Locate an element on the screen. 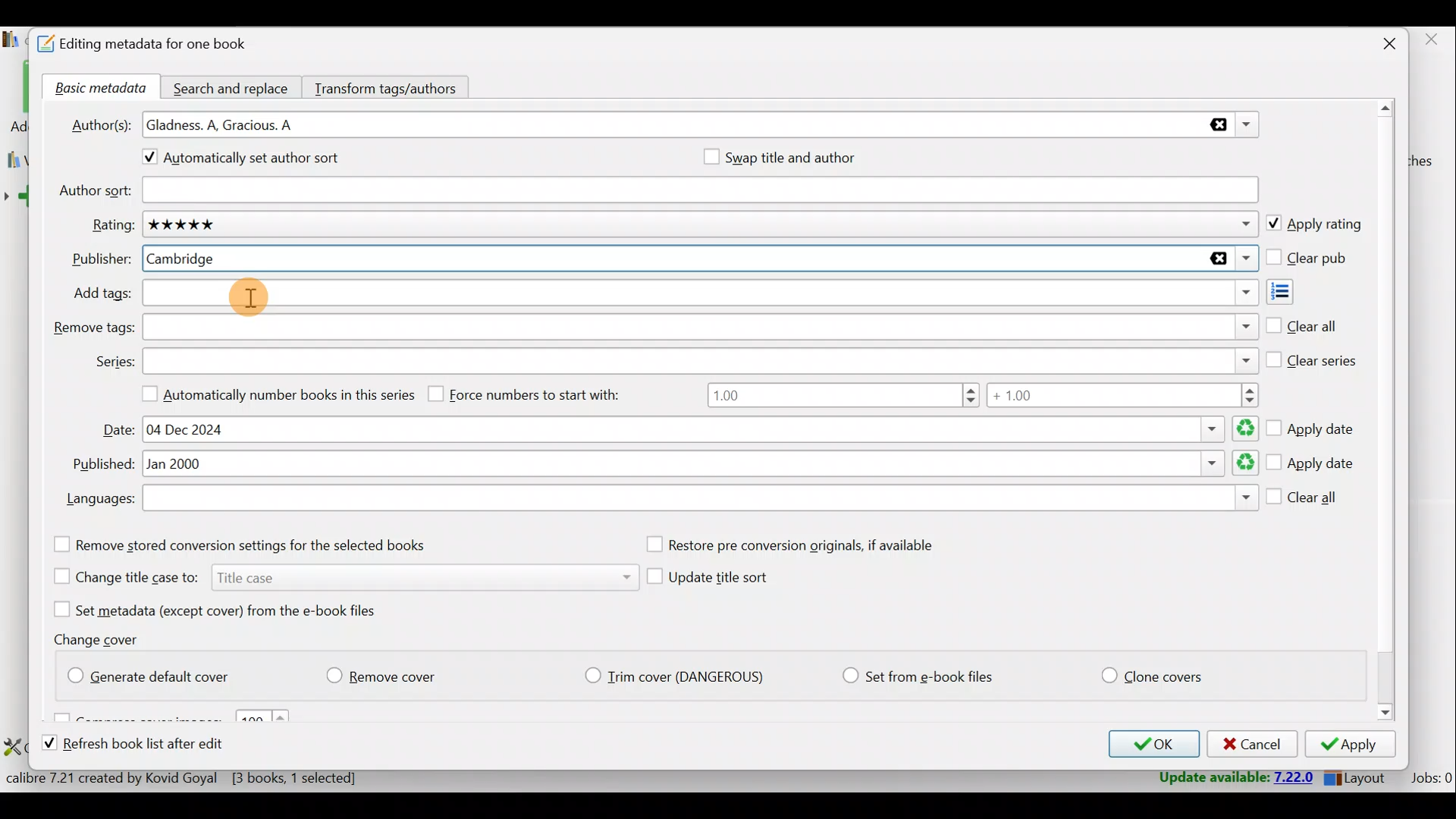 This screenshot has width=1456, height=819. Cursor is located at coordinates (249, 298).